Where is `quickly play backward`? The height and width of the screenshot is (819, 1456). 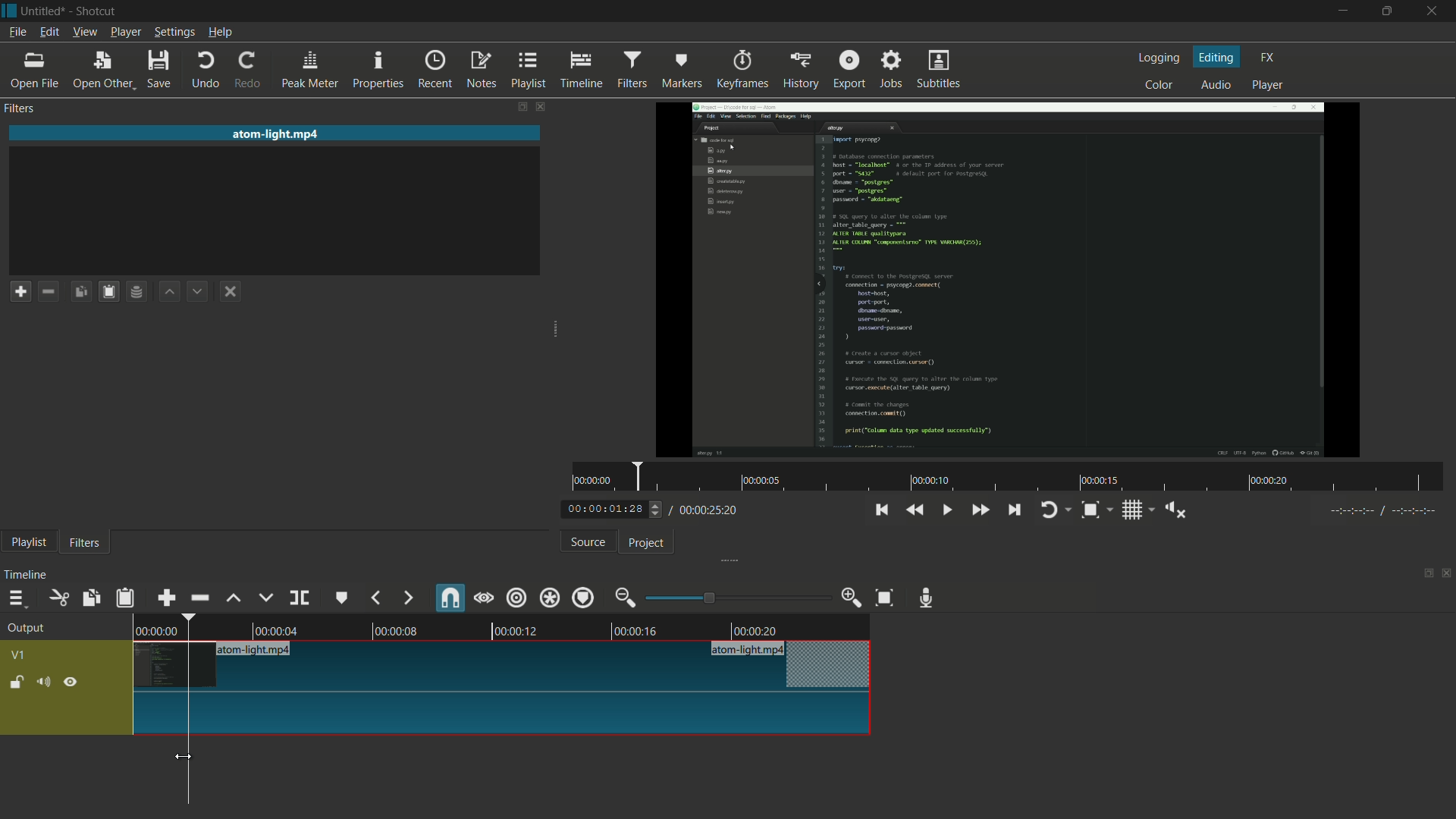 quickly play backward is located at coordinates (916, 510).